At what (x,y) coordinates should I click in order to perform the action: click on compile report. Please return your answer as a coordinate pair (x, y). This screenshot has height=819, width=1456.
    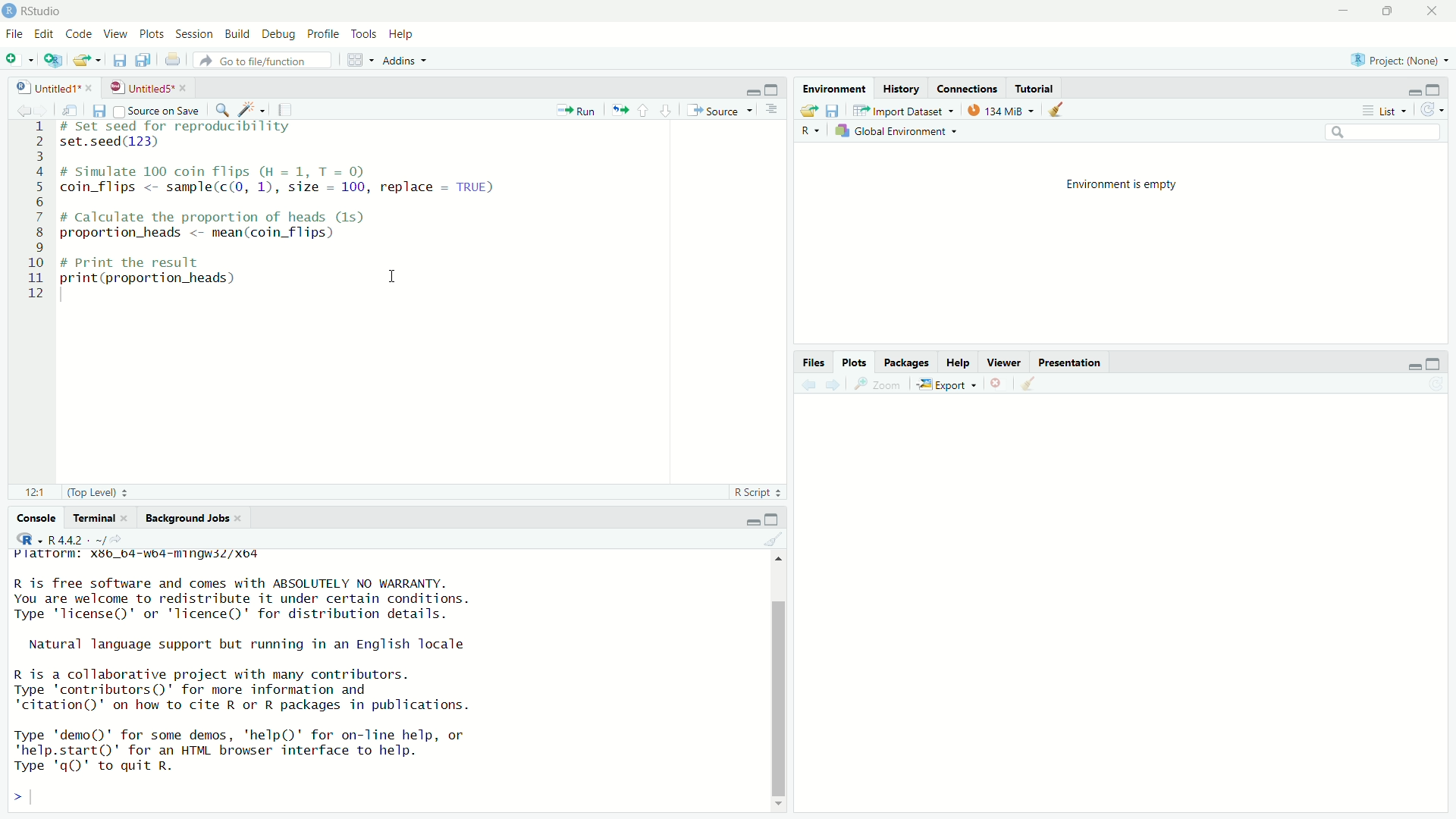
    Looking at the image, I should click on (293, 108).